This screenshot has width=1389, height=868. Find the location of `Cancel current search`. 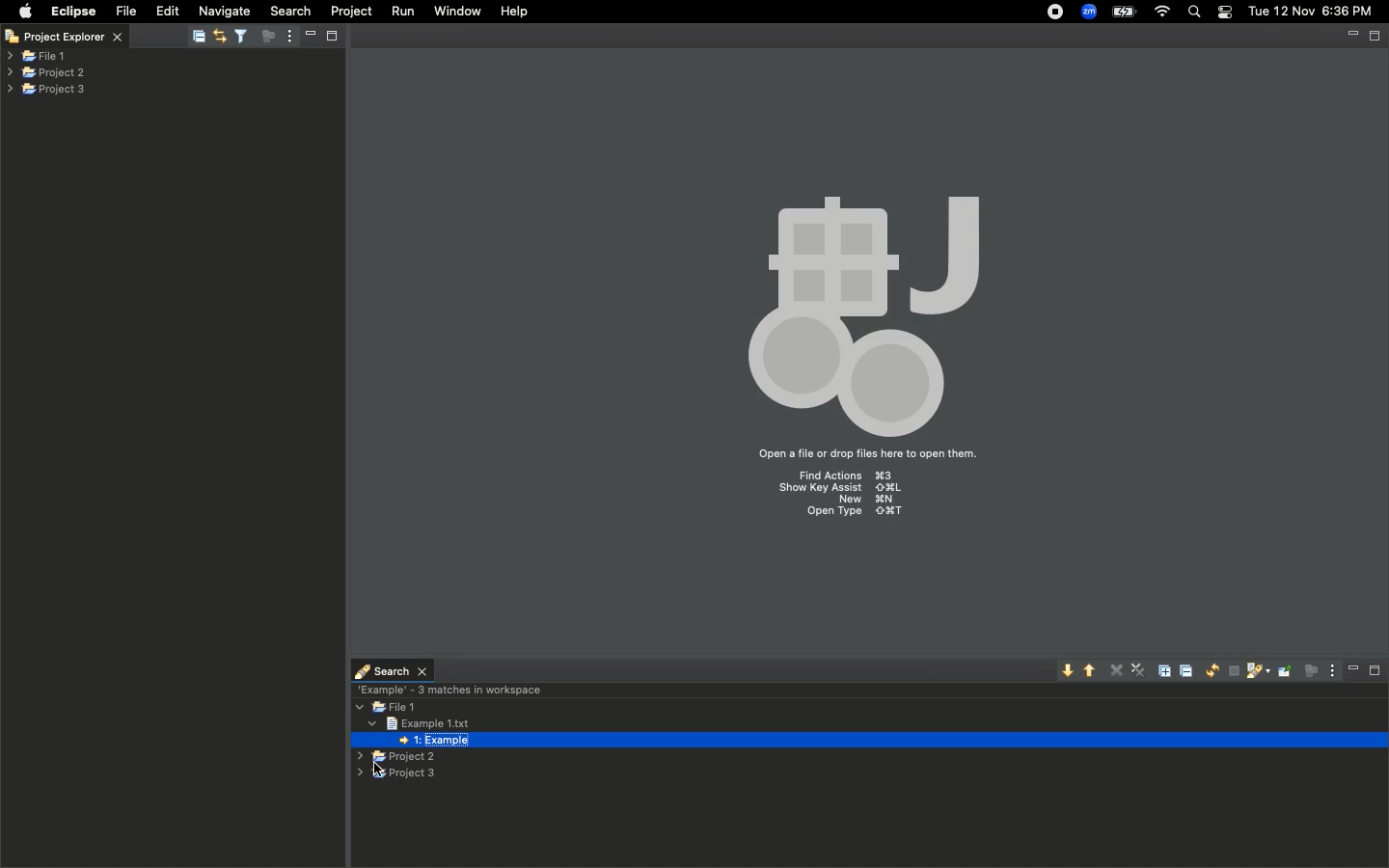

Cancel current search is located at coordinates (1232, 671).